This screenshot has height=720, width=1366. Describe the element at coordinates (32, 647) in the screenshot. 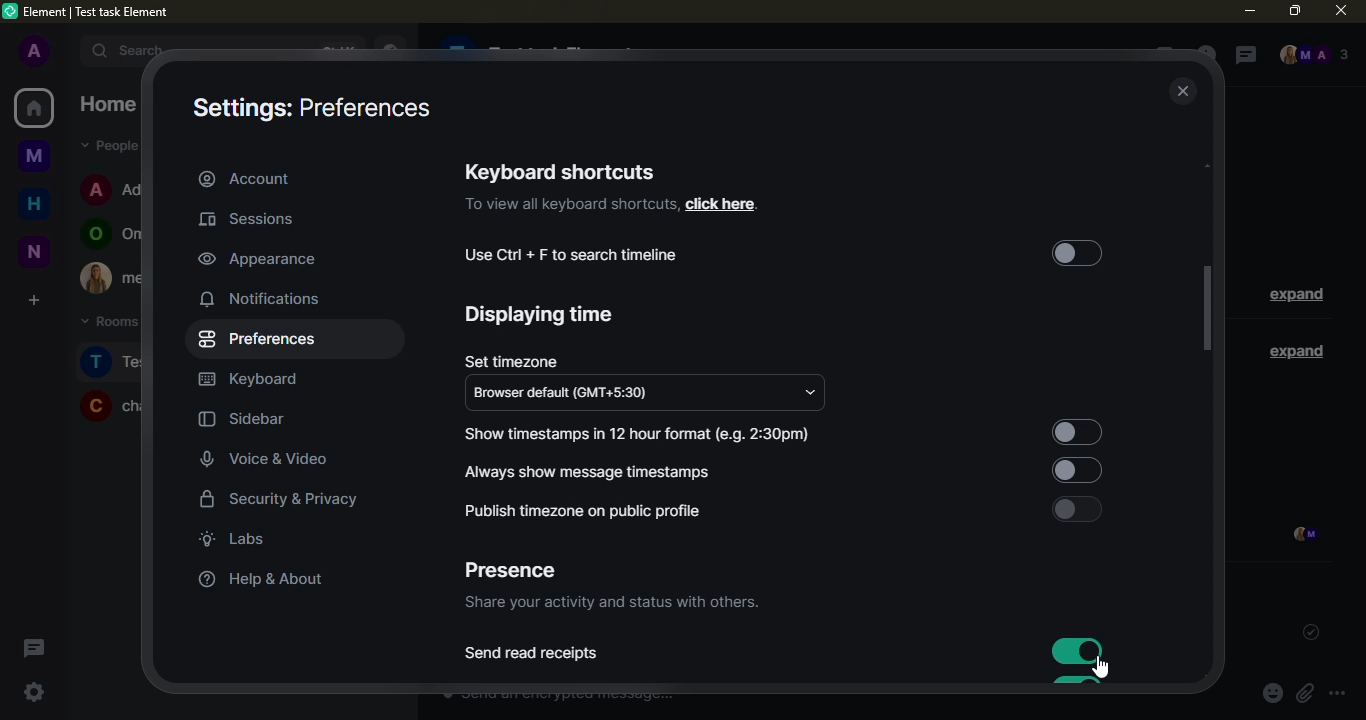

I see `threads` at that location.